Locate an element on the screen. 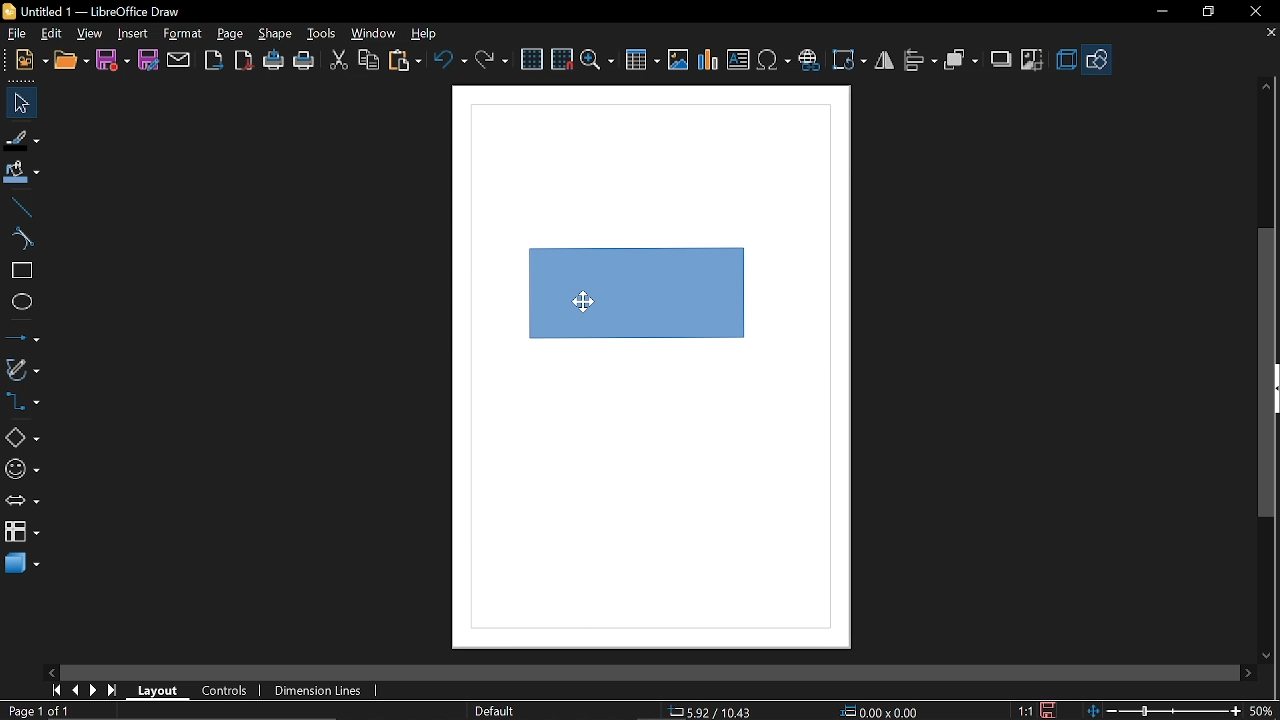 The height and width of the screenshot is (720, 1280). snap to grid is located at coordinates (562, 59).